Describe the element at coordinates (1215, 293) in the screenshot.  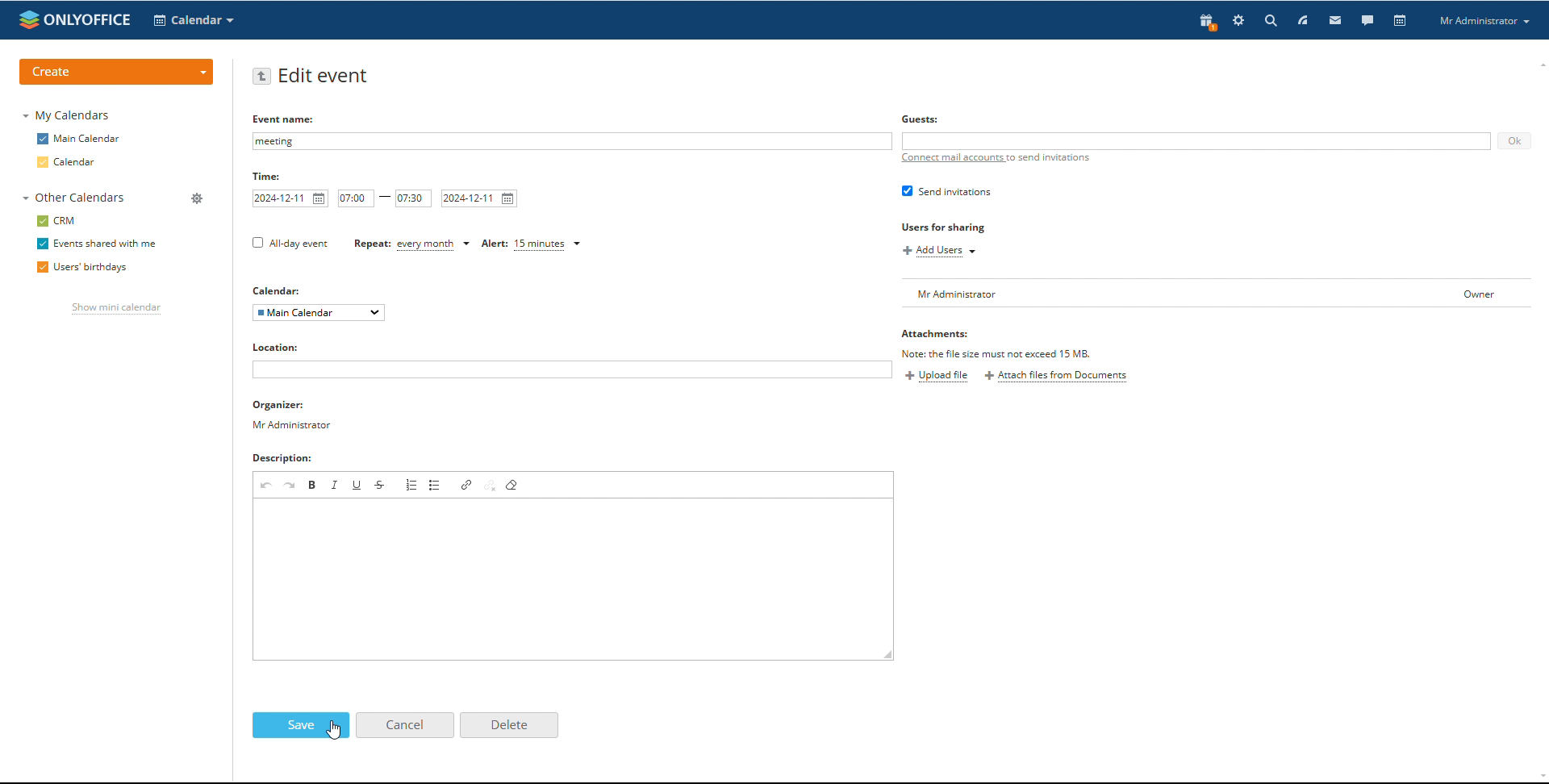
I see `user list` at that location.